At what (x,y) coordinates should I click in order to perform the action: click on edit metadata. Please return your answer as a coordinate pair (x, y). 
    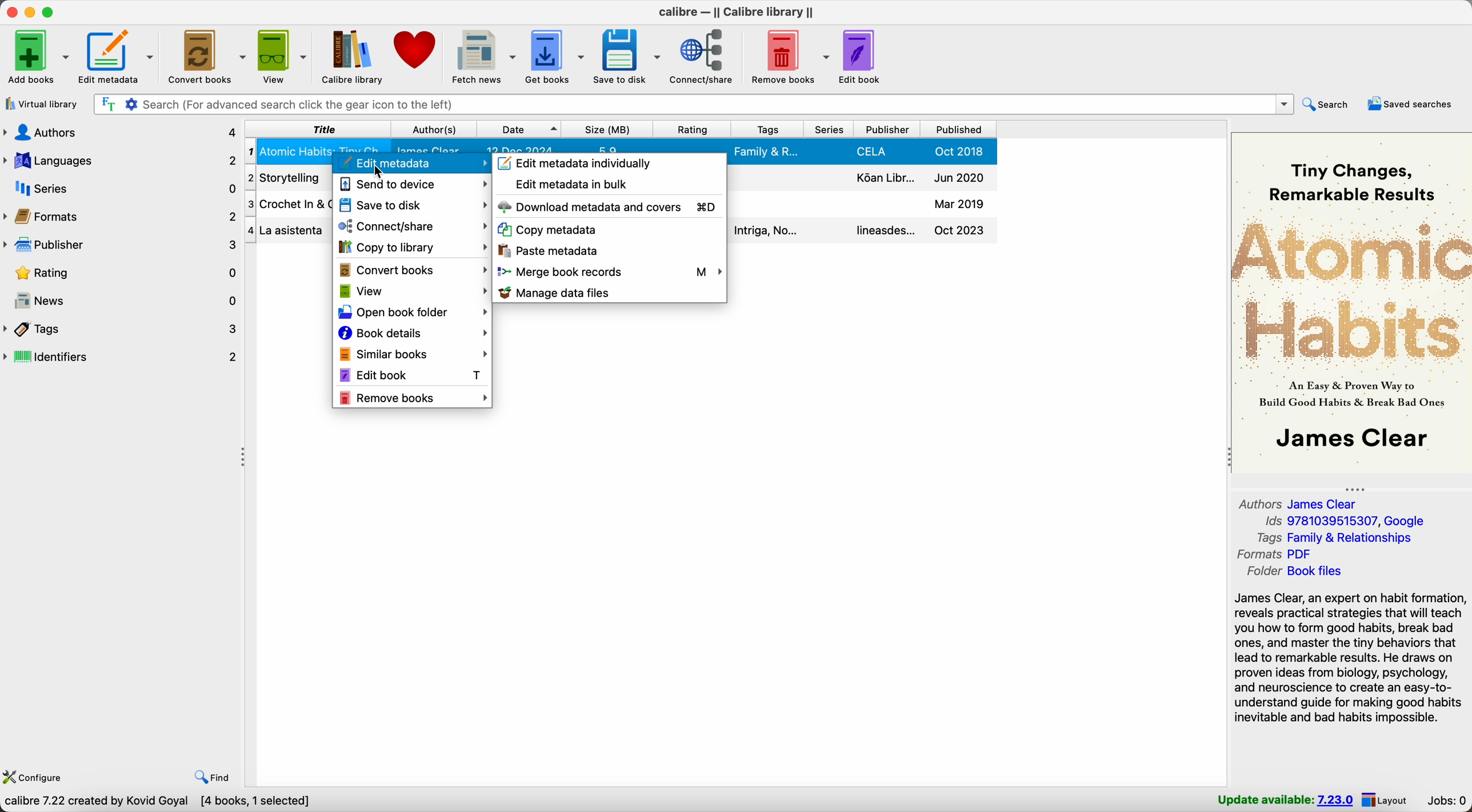
    Looking at the image, I should click on (437, 164).